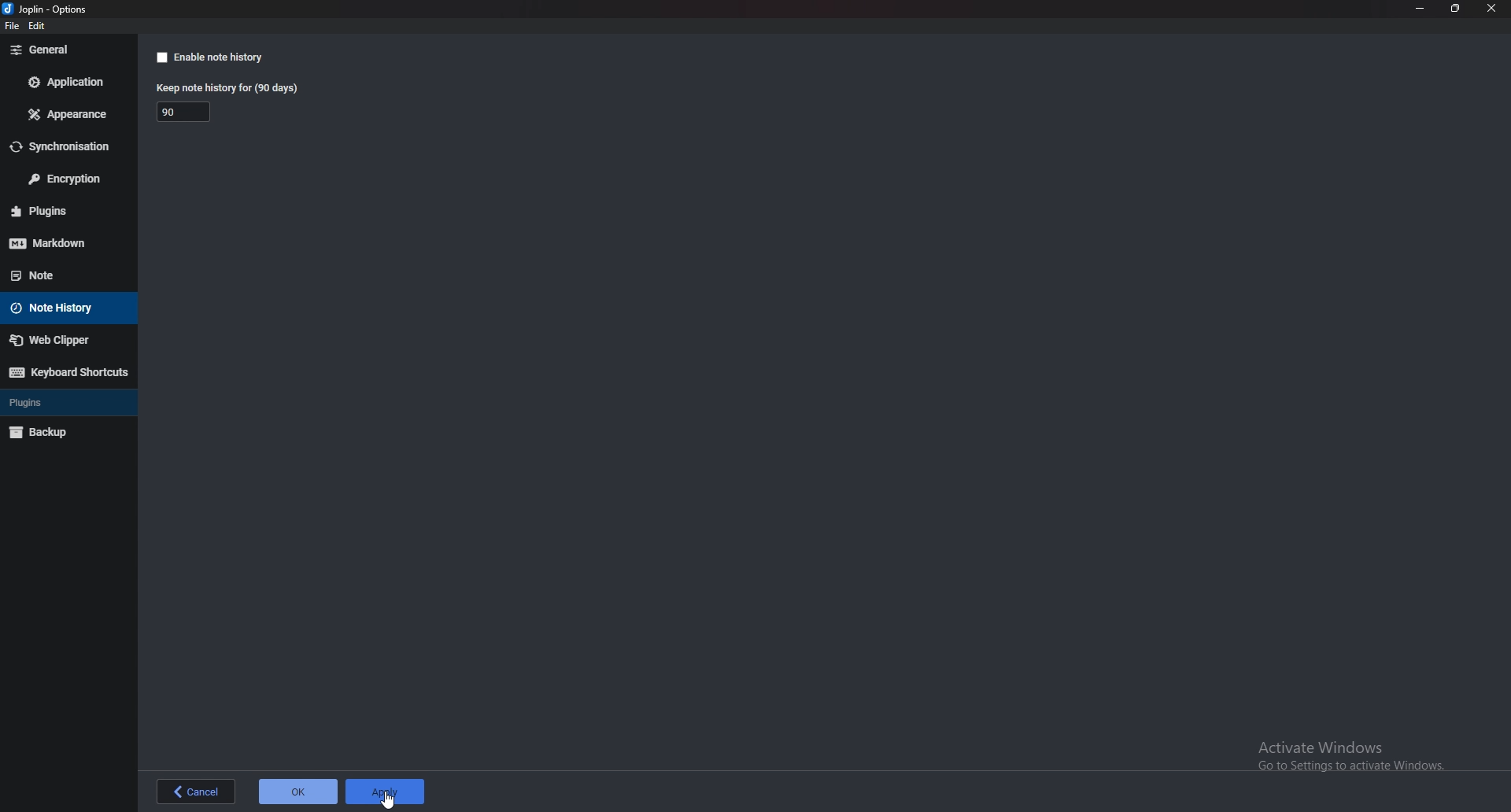 Image resolution: width=1511 pixels, height=812 pixels. I want to click on Note history, so click(69, 307).